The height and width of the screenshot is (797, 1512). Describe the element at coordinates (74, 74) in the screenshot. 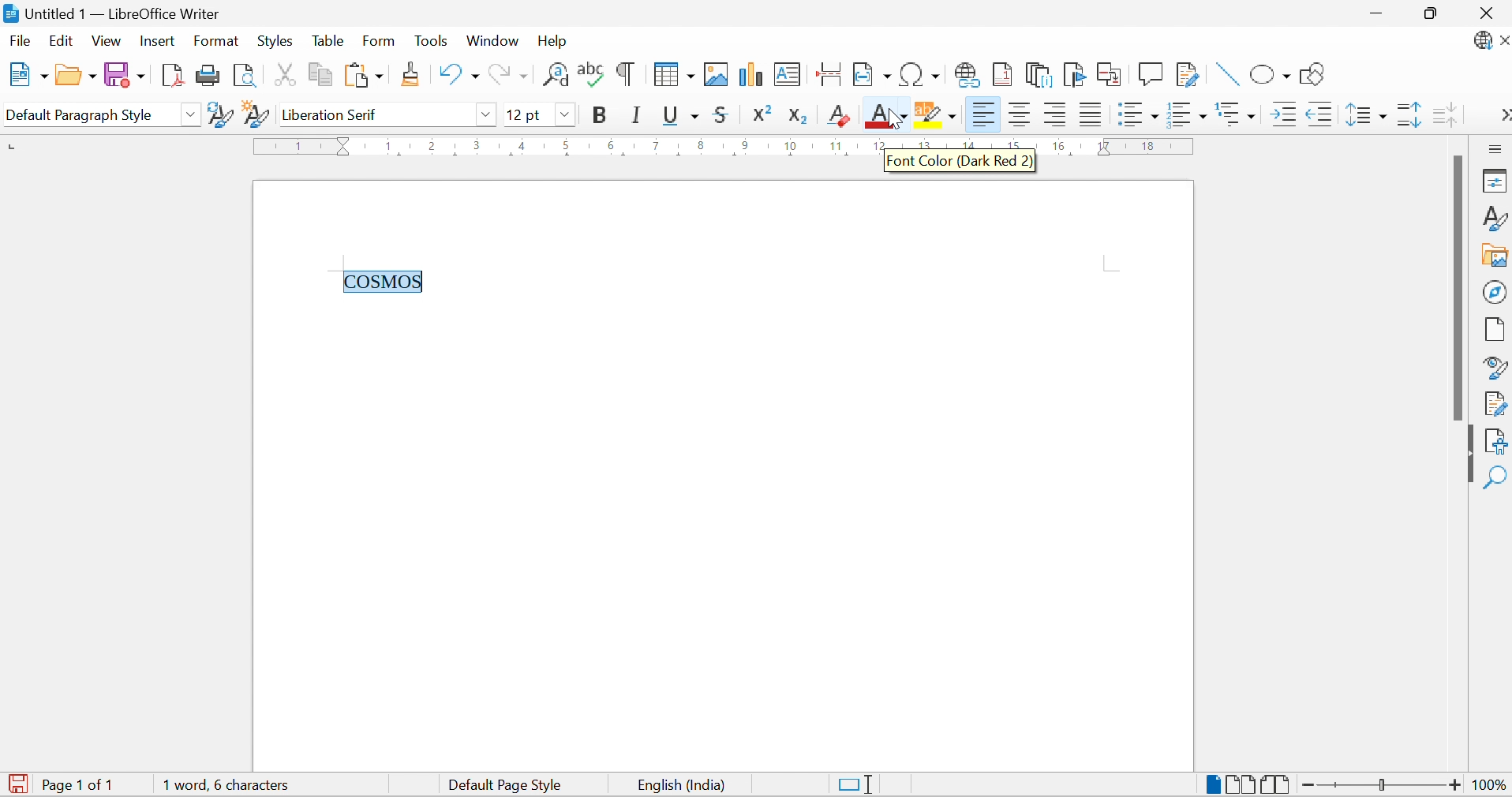

I see `Open` at that location.